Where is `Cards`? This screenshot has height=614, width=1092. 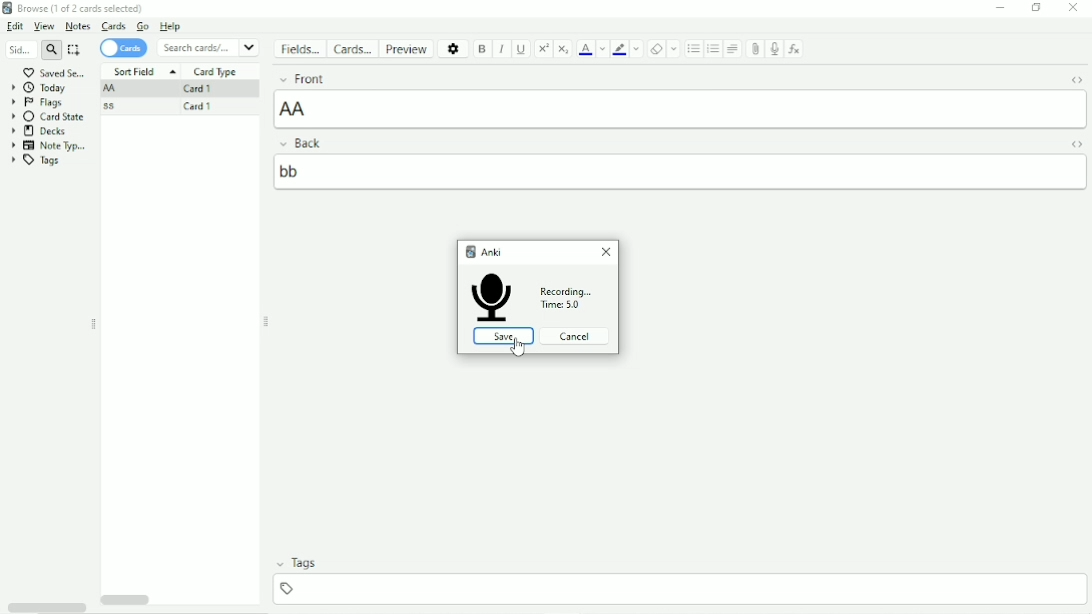
Cards is located at coordinates (115, 26).